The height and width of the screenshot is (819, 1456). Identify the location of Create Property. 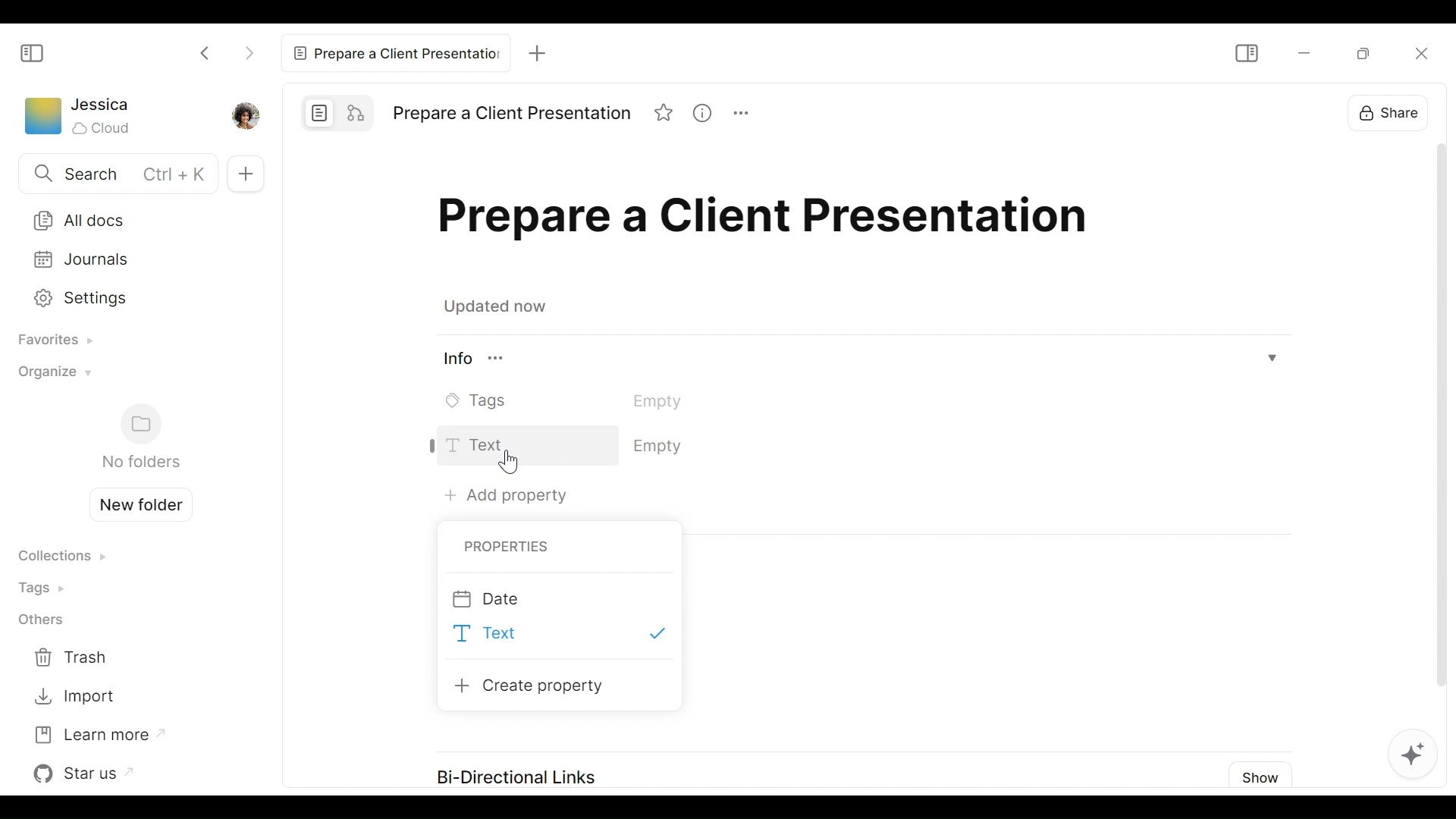
(548, 689).